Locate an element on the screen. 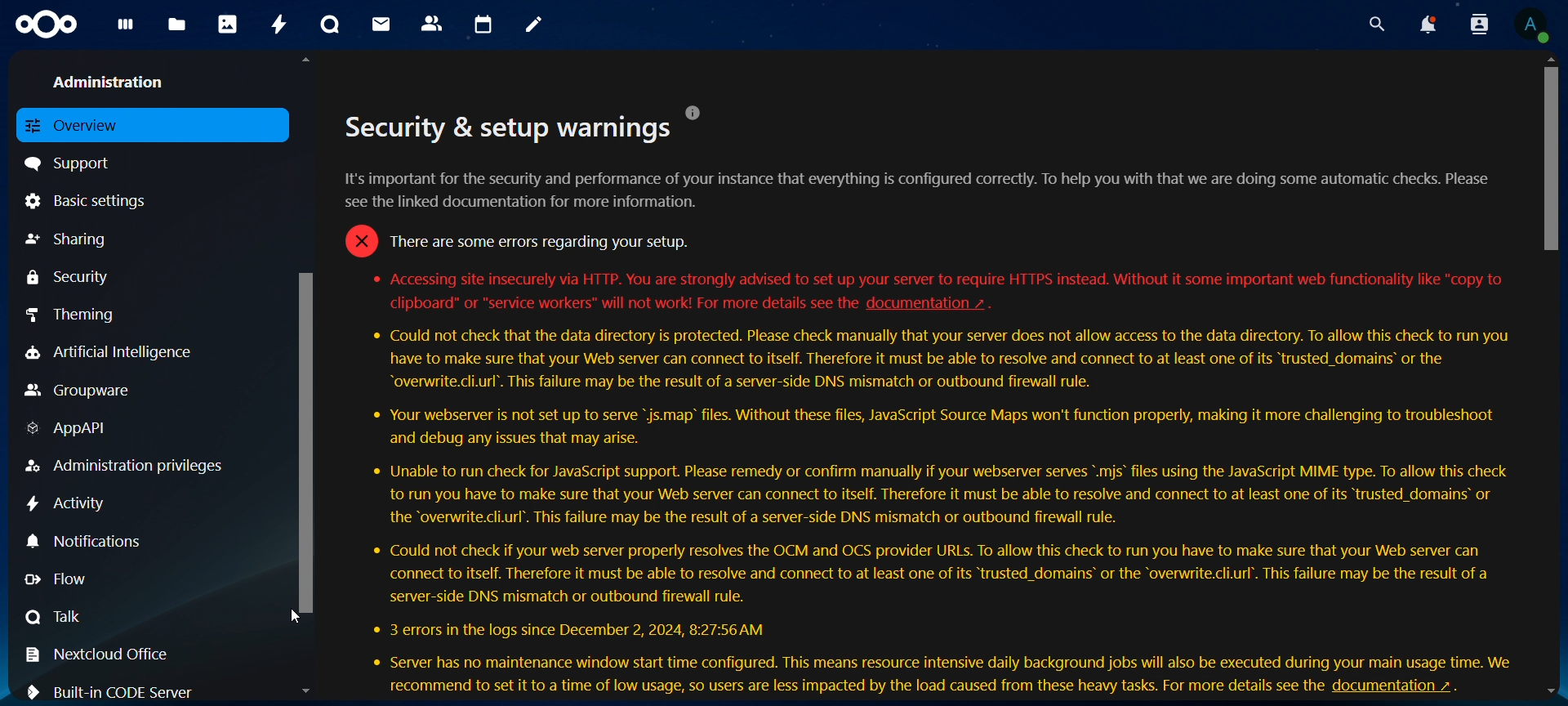 The width and height of the screenshot is (1568, 706). notifications is located at coordinates (89, 540).